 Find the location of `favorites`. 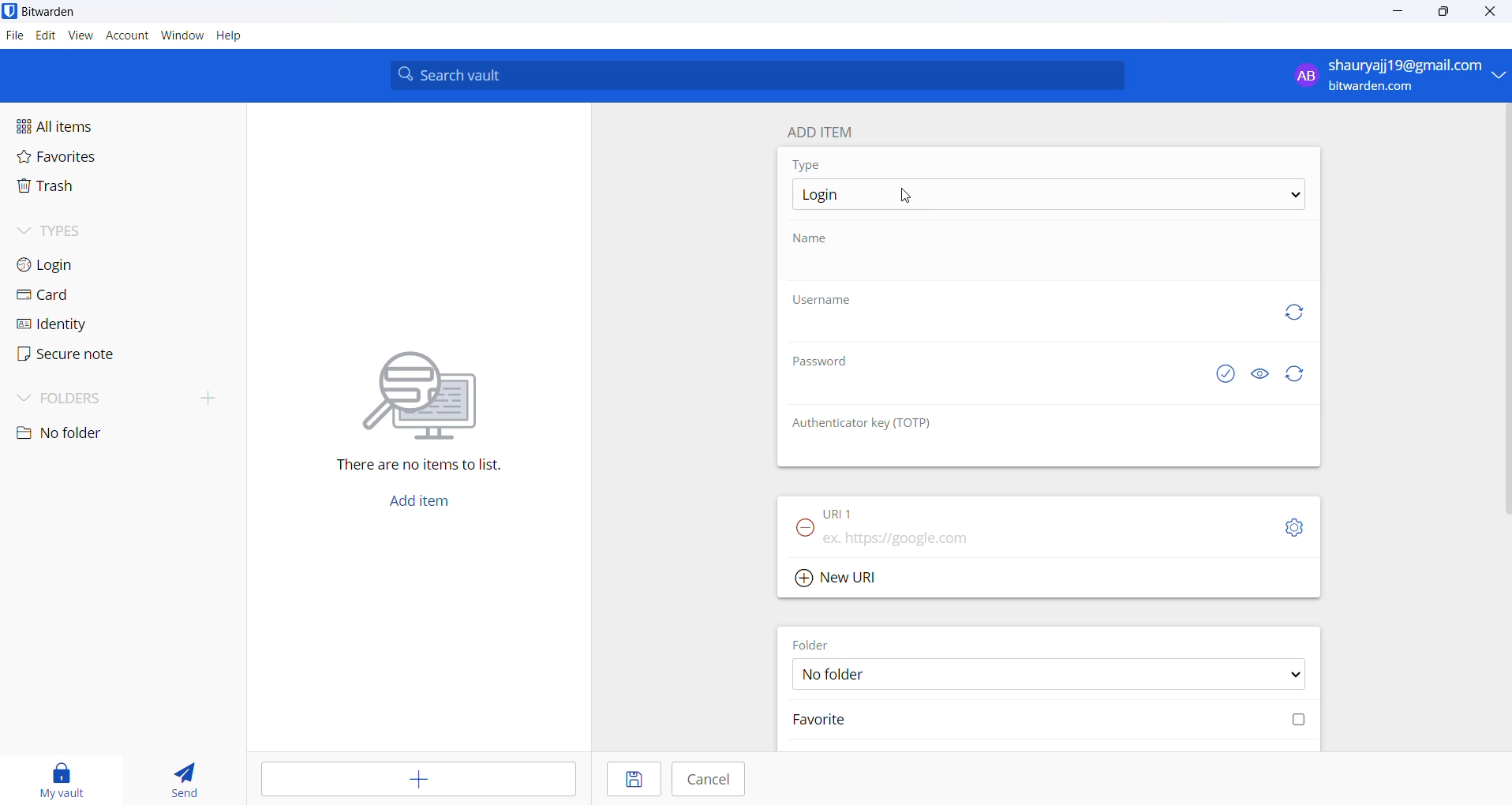

favorites is located at coordinates (80, 159).